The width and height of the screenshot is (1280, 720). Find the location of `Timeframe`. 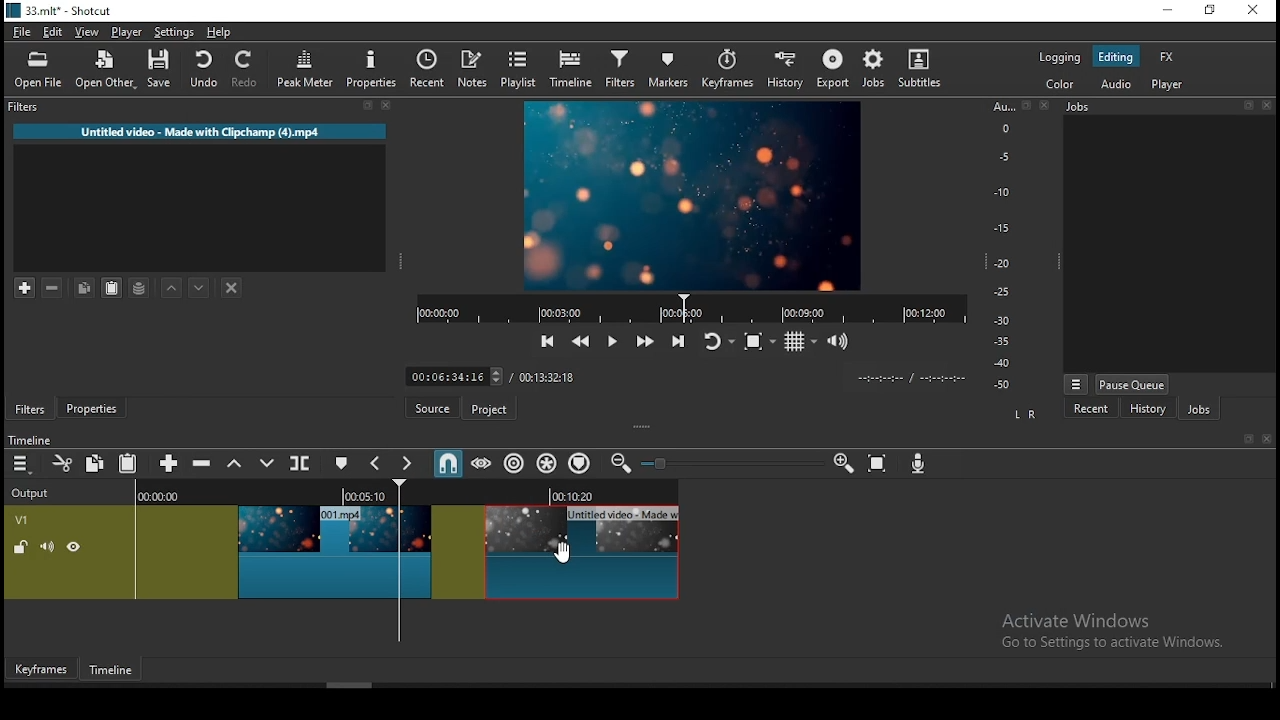

Timeframe is located at coordinates (116, 672).